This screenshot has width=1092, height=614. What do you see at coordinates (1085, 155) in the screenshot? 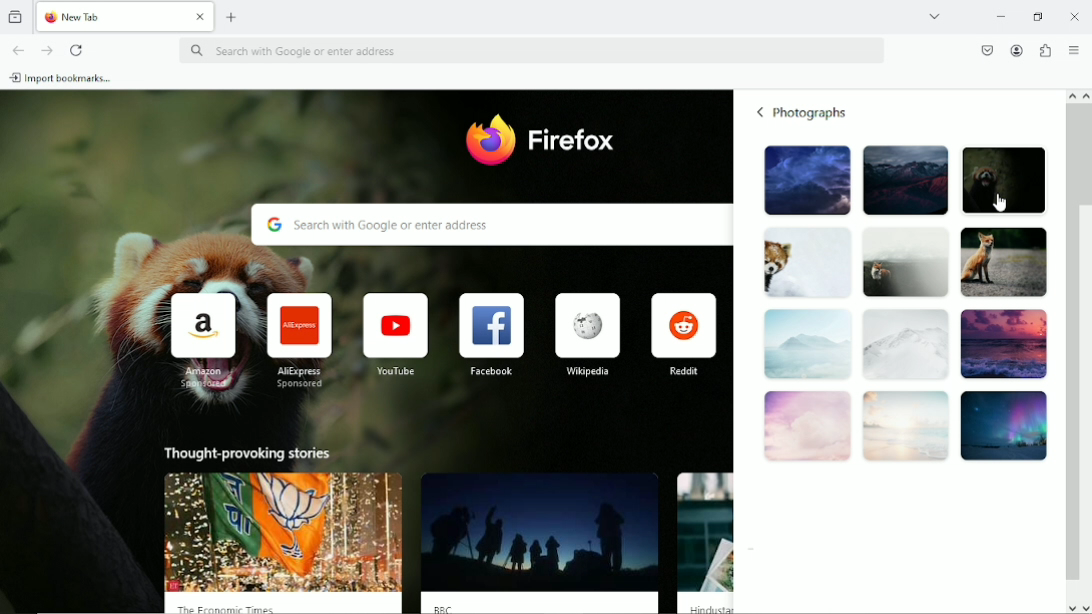
I see `Vertical scrollbar` at bounding box center [1085, 155].